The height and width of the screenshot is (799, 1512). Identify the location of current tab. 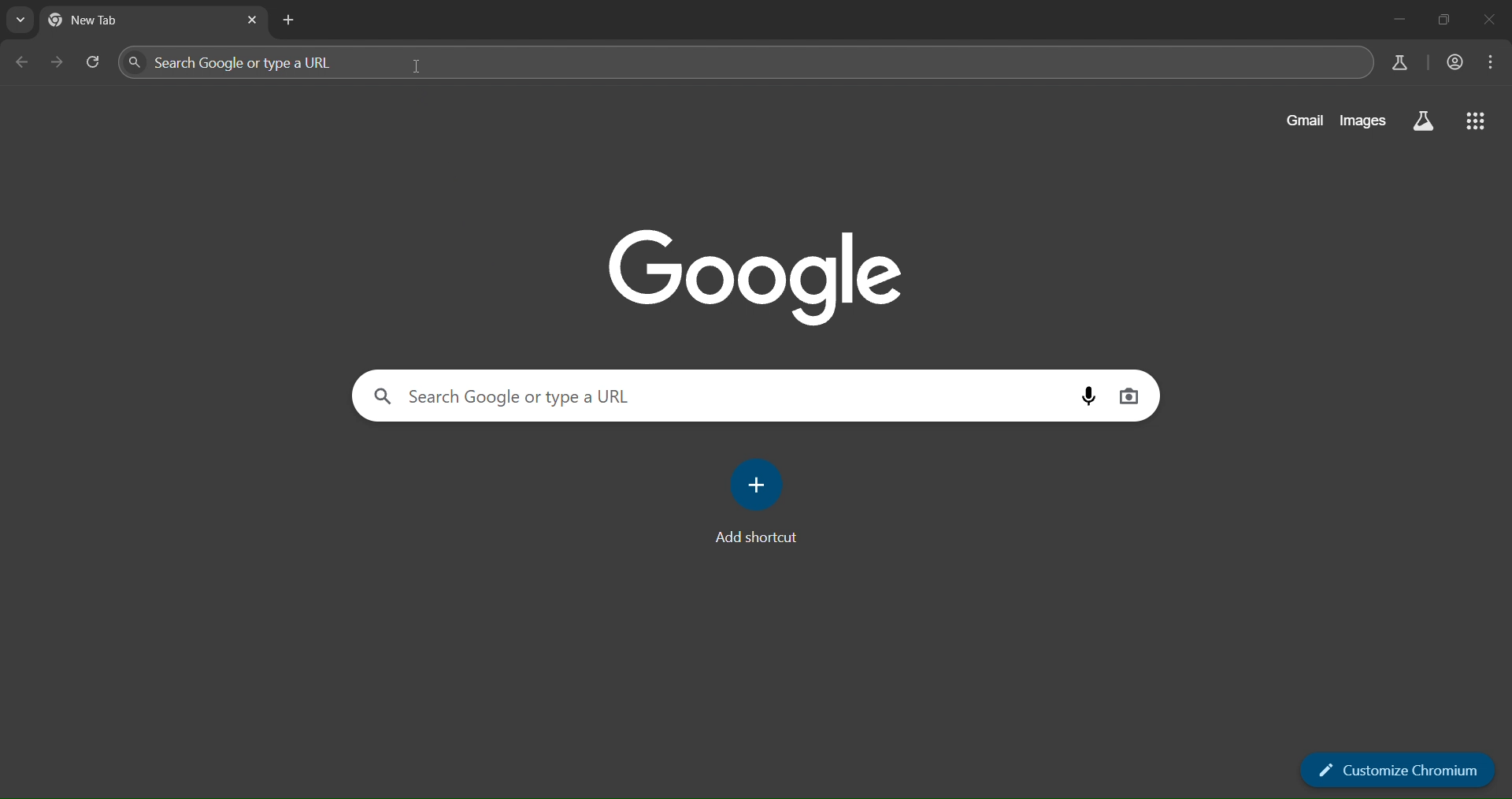
(132, 22).